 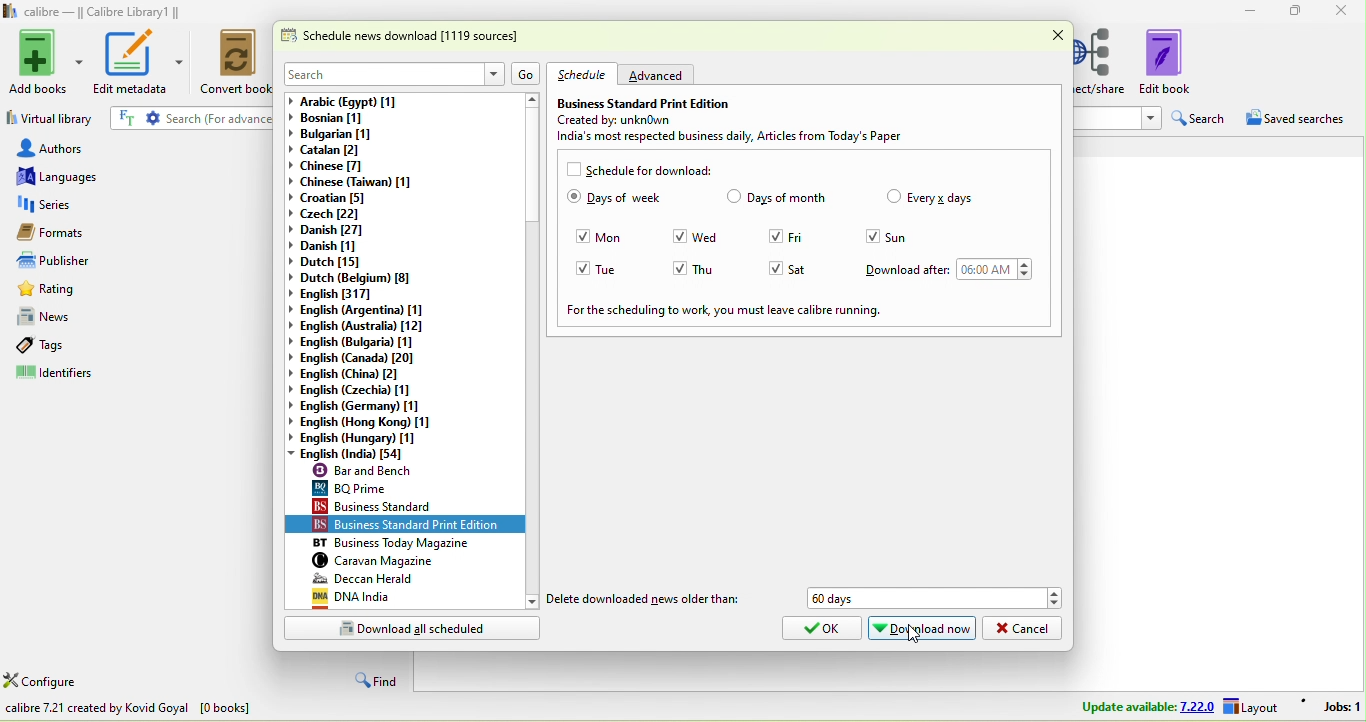 I want to click on business standard, so click(x=414, y=506).